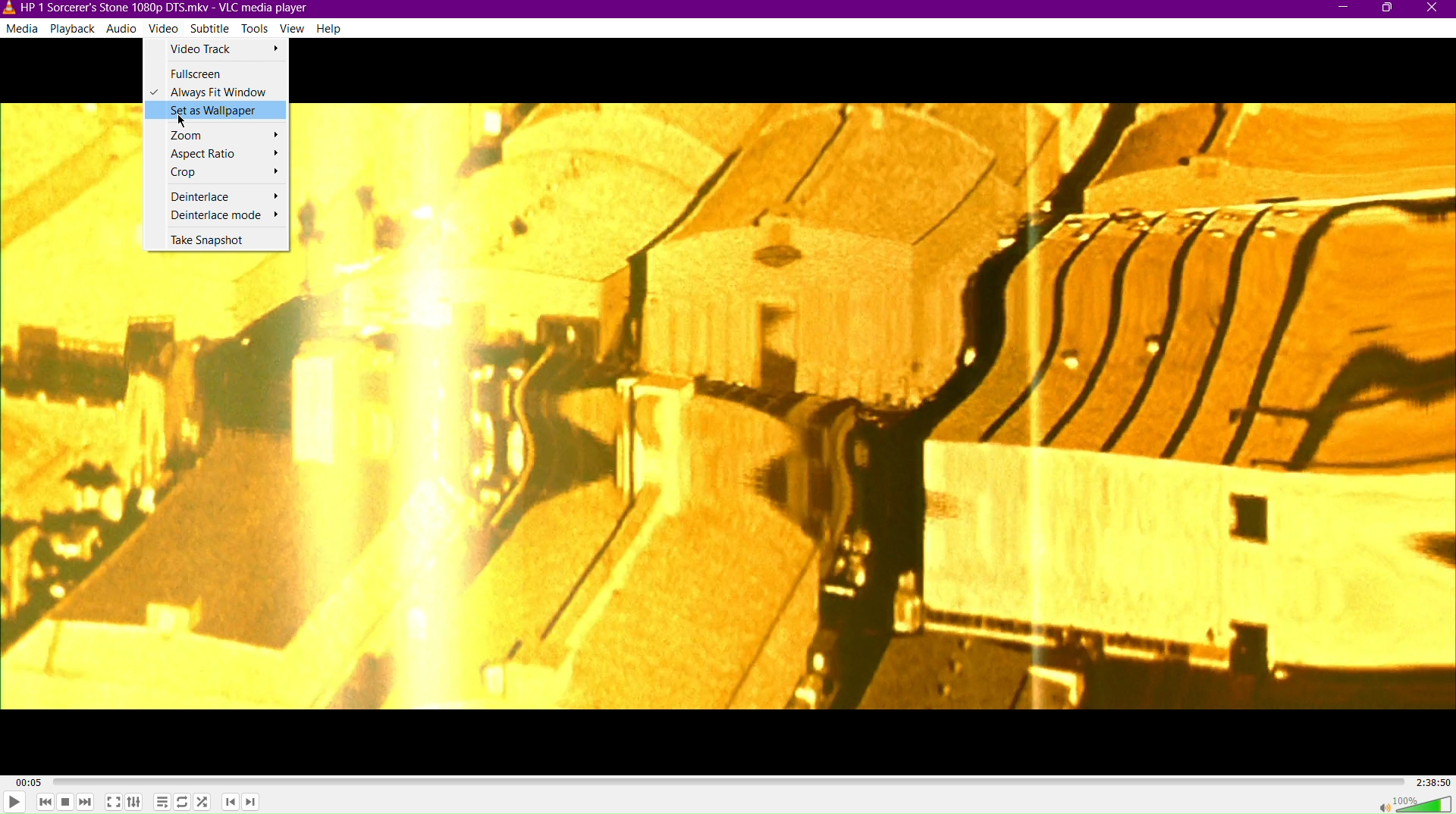 The width and height of the screenshot is (1456, 814). Describe the element at coordinates (258, 28) in the screenshot. I see `Tools` at that location.